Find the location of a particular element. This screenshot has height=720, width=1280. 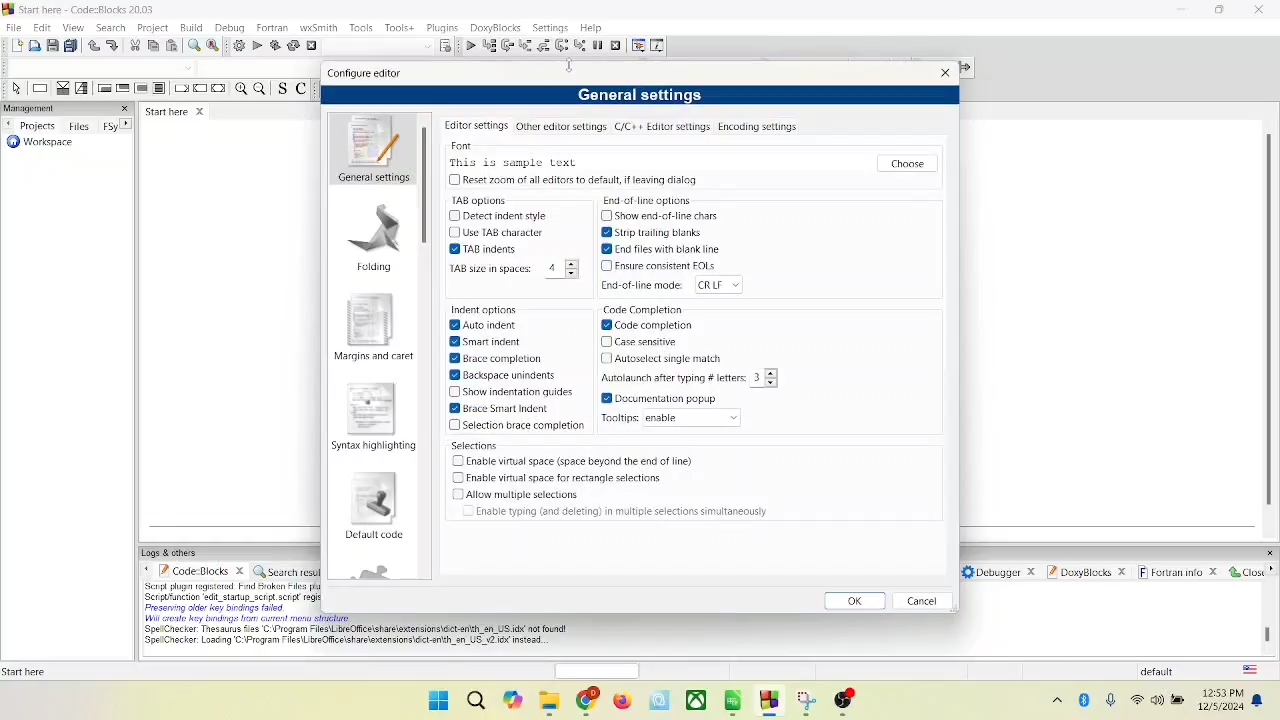

bluetooth is located at coordinates (1081, 703).